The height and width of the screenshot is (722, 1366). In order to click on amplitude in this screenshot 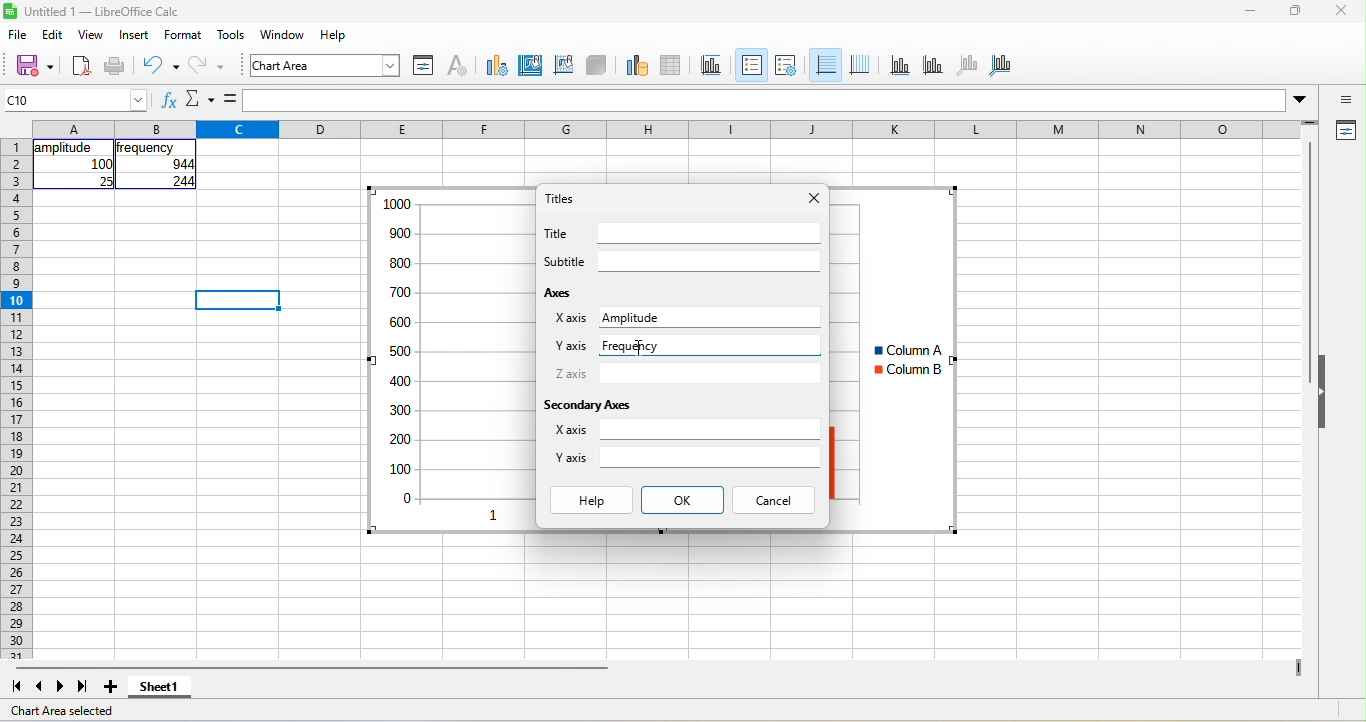, I will do `click(66, 148)`.